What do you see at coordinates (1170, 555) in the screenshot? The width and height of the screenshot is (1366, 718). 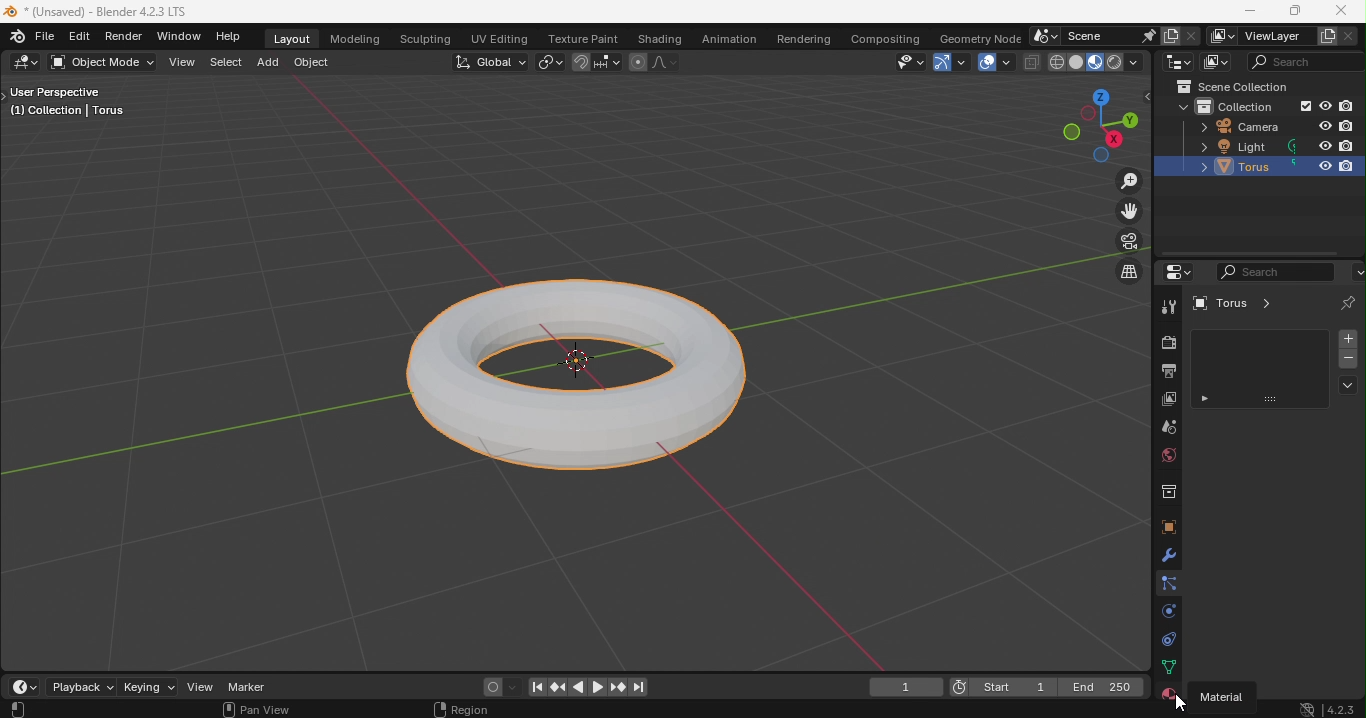 I see `Modifiers` at bounding box center [1170, 555].